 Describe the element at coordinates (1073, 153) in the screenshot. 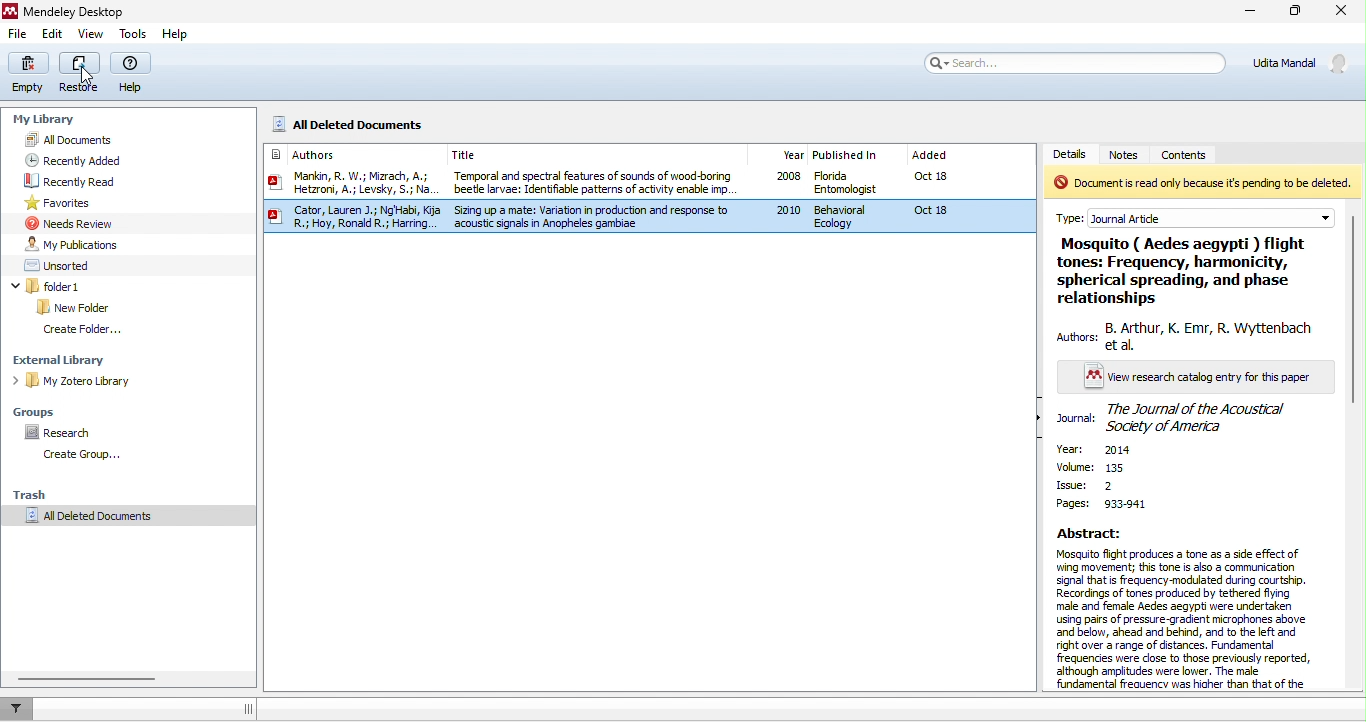

I see `details` at that location.